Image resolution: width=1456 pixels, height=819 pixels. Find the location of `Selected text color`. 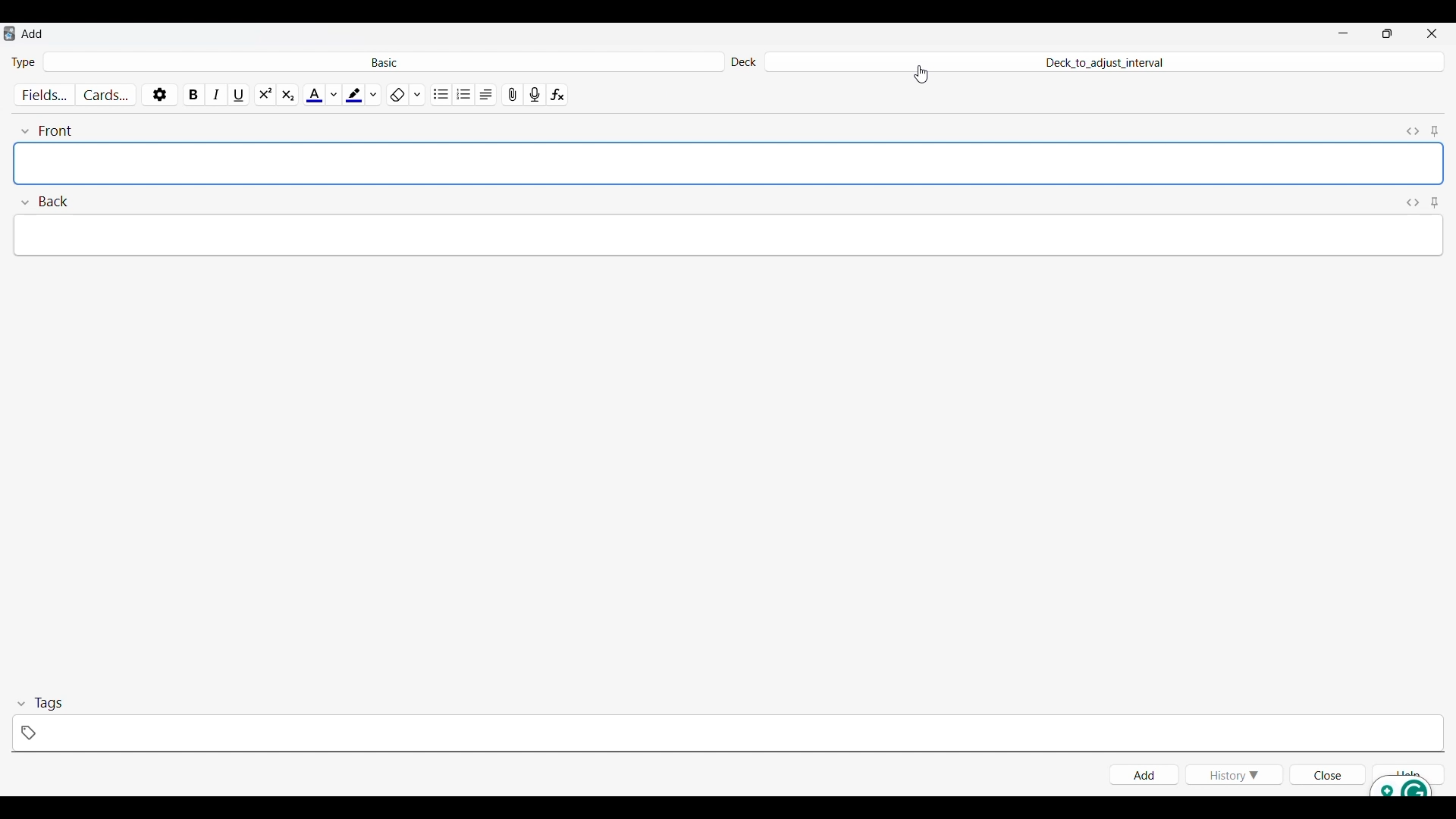

Selected text color is located at coordinates (313, 95).